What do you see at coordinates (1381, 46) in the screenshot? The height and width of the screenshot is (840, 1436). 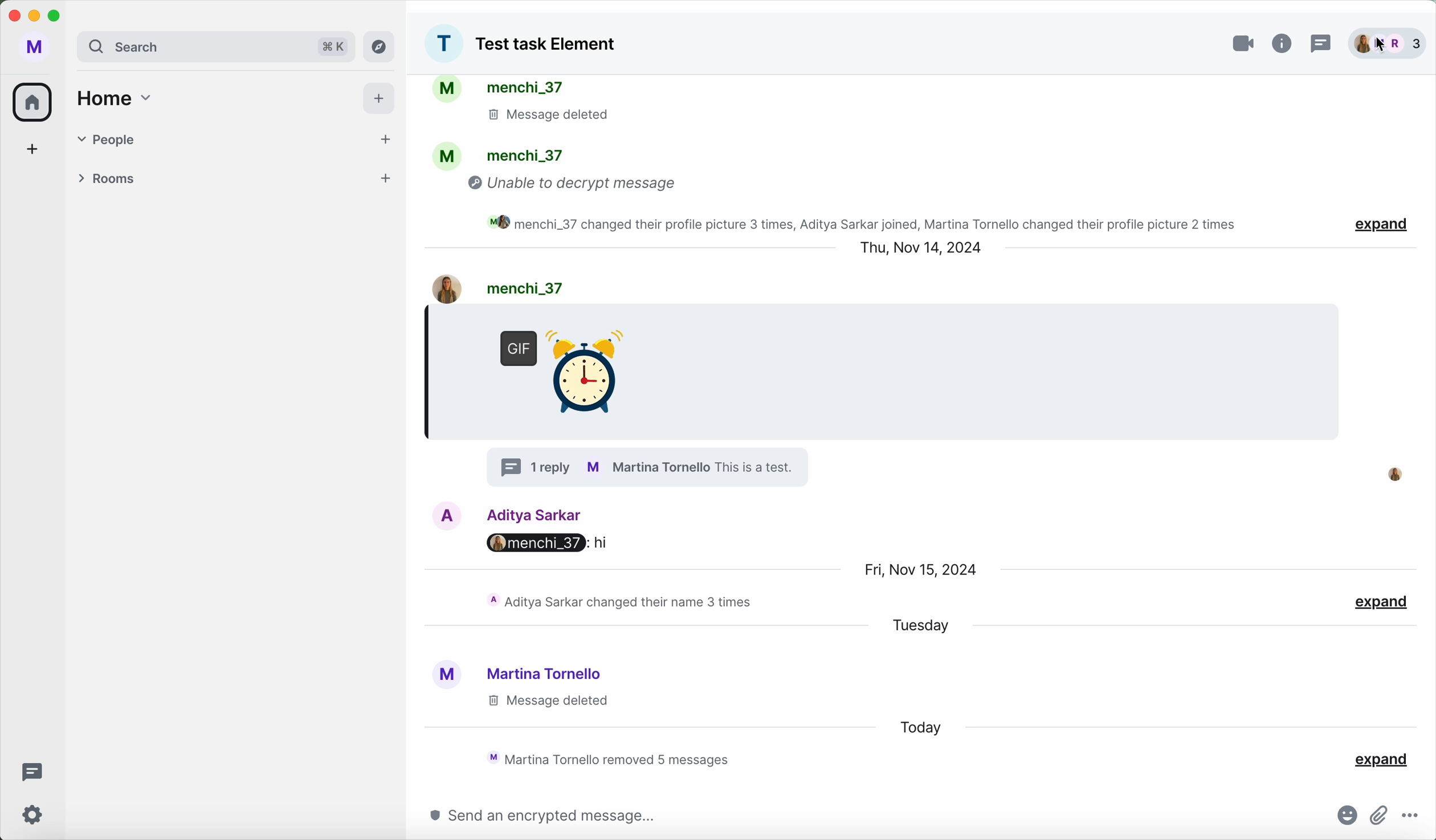 I see `cursor` at bounding box center [1381, 46].